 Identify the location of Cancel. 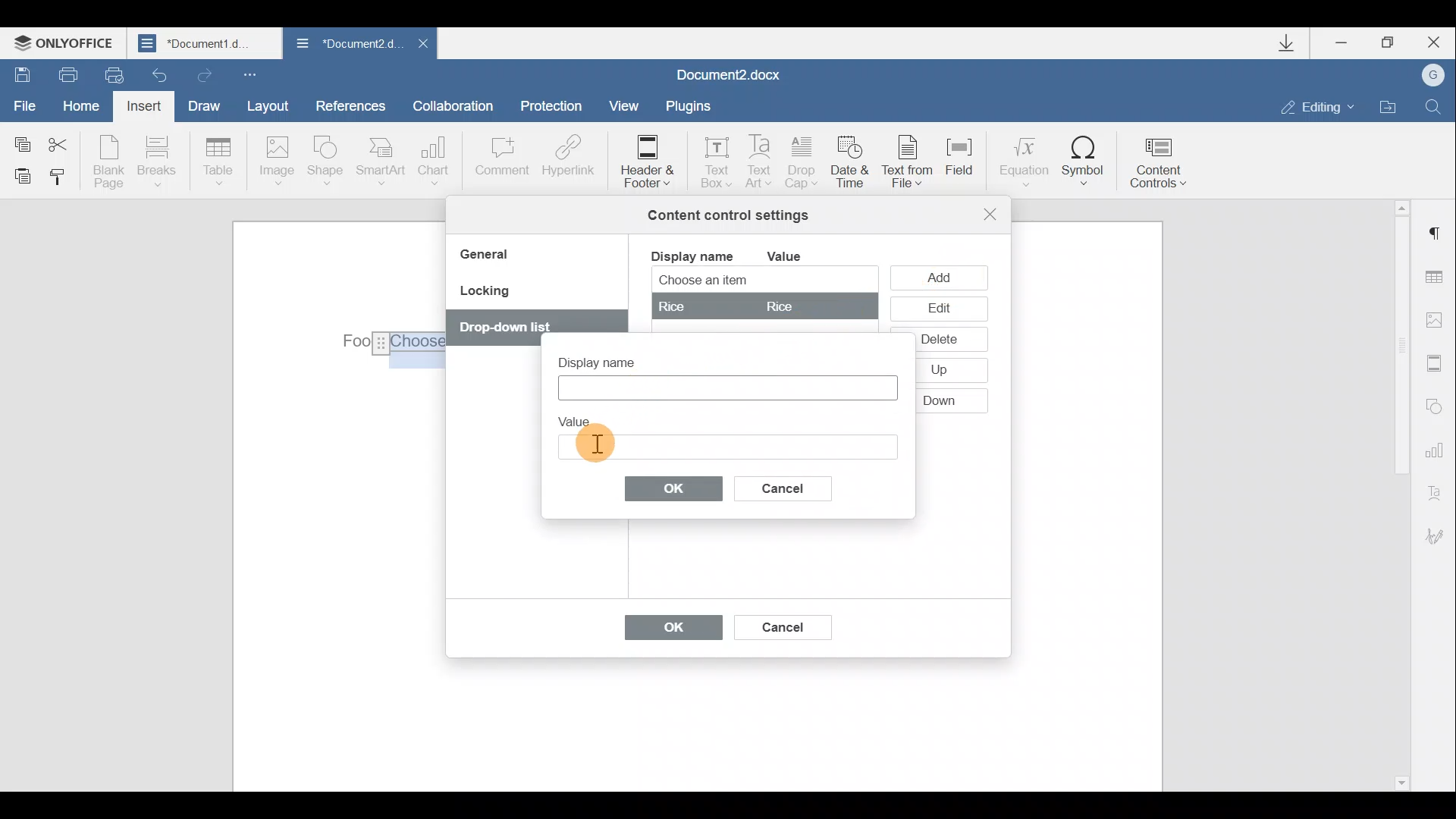
(781, 624).